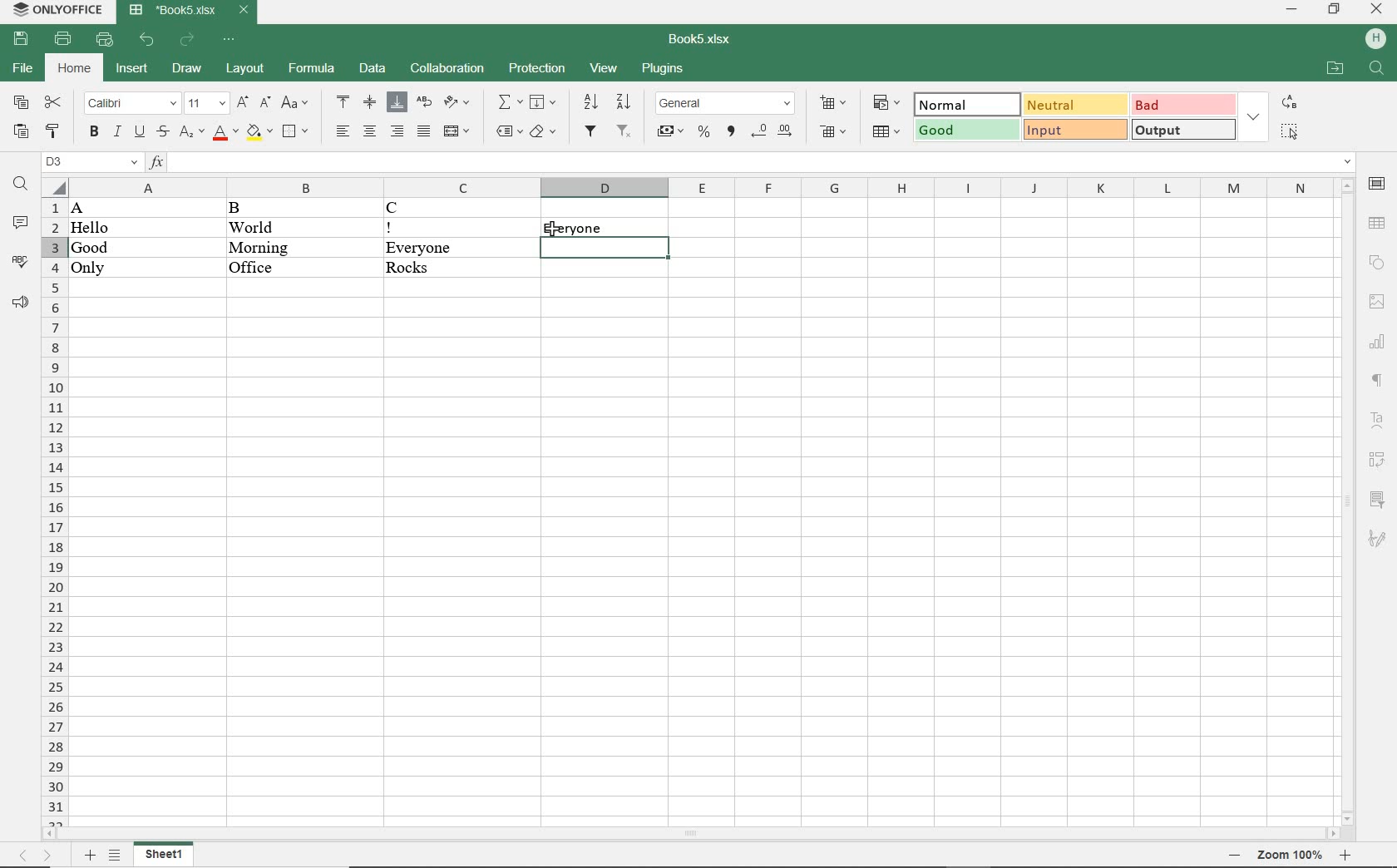 This screenshot has width=1397, height=868. I want to click on find, so click(20, 185).